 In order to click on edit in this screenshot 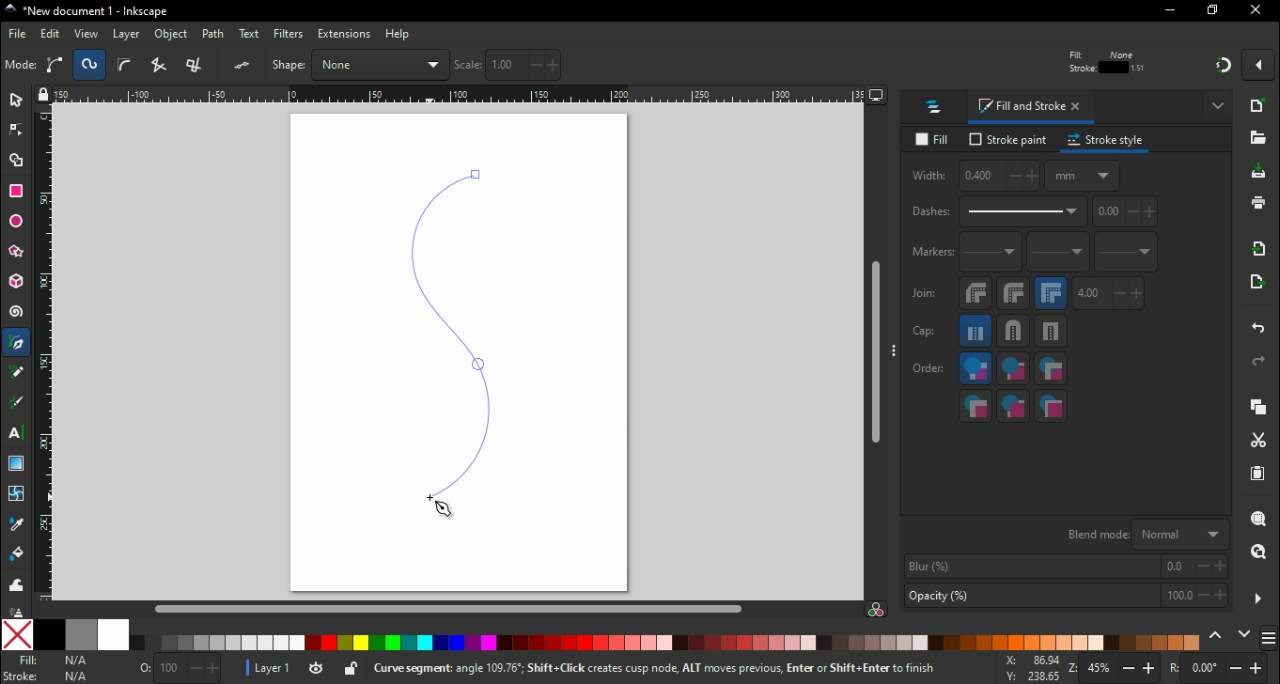, I will do `click(50, 35)`.